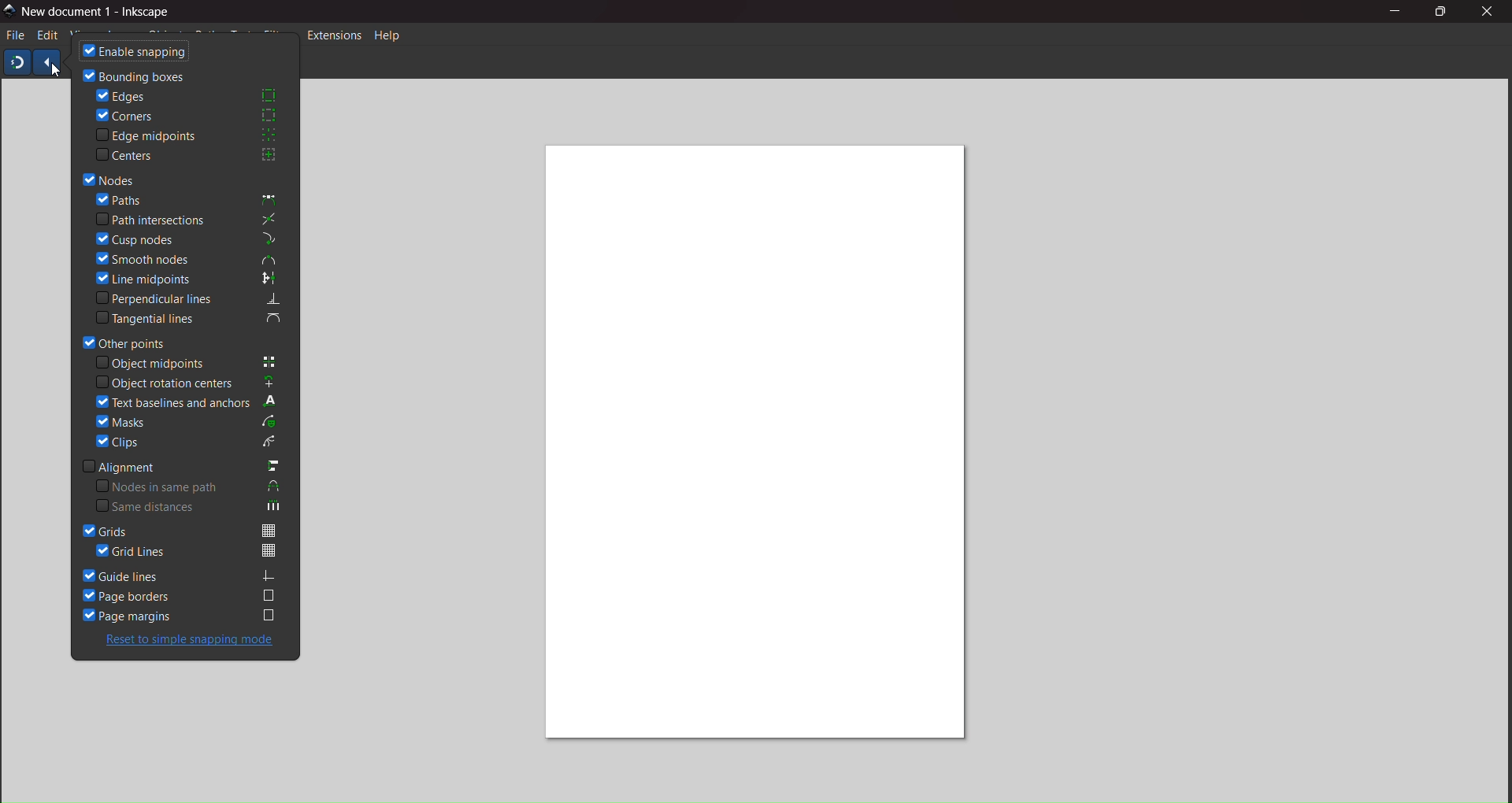  What do you see at coordinates (207, 36) in the screenshot?
I see `Path` at bounding box center [207, 36].